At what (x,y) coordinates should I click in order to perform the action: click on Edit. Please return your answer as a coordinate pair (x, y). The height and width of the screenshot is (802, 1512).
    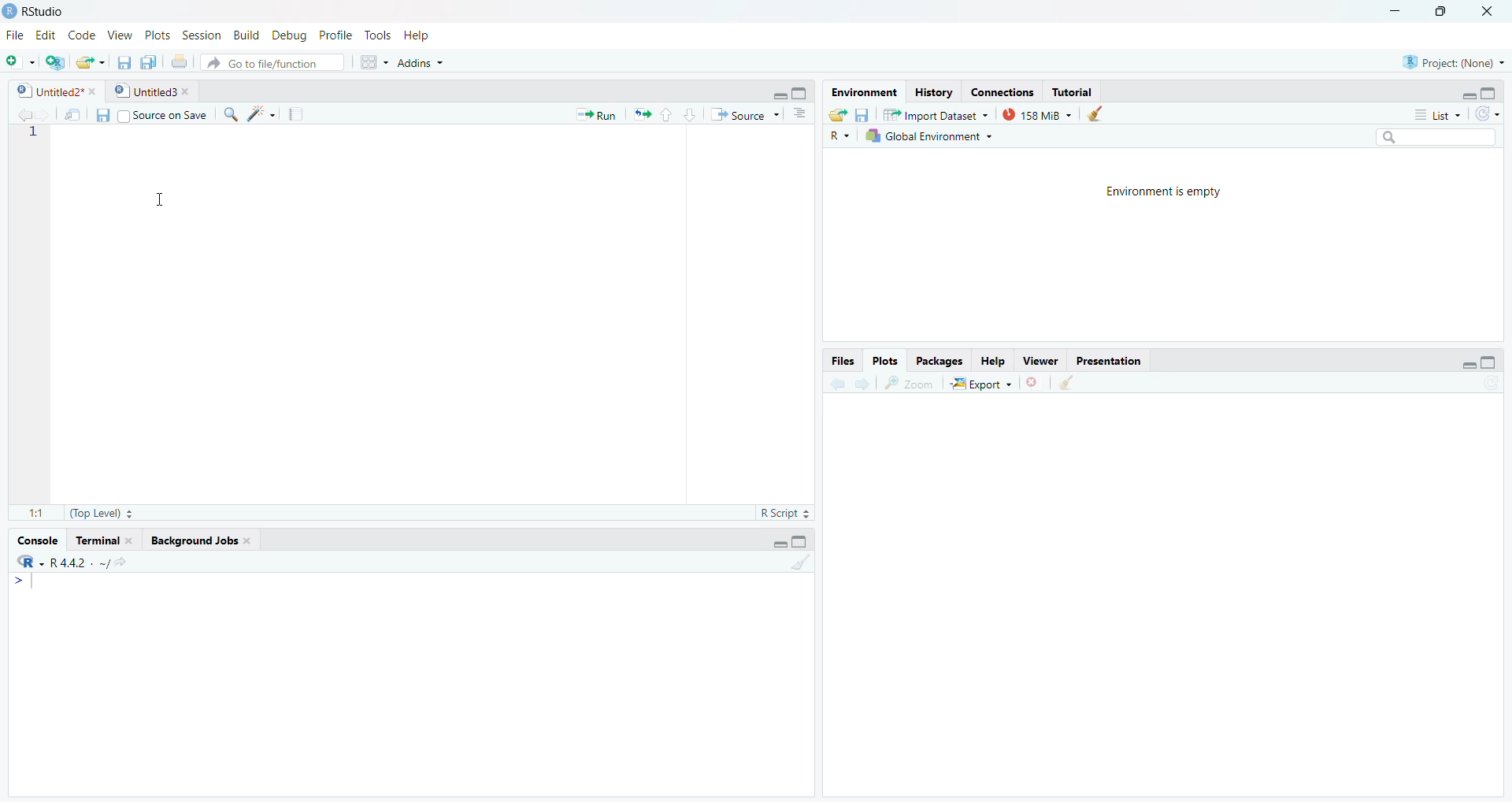
    Looking at the image, I should click on (46, 35).